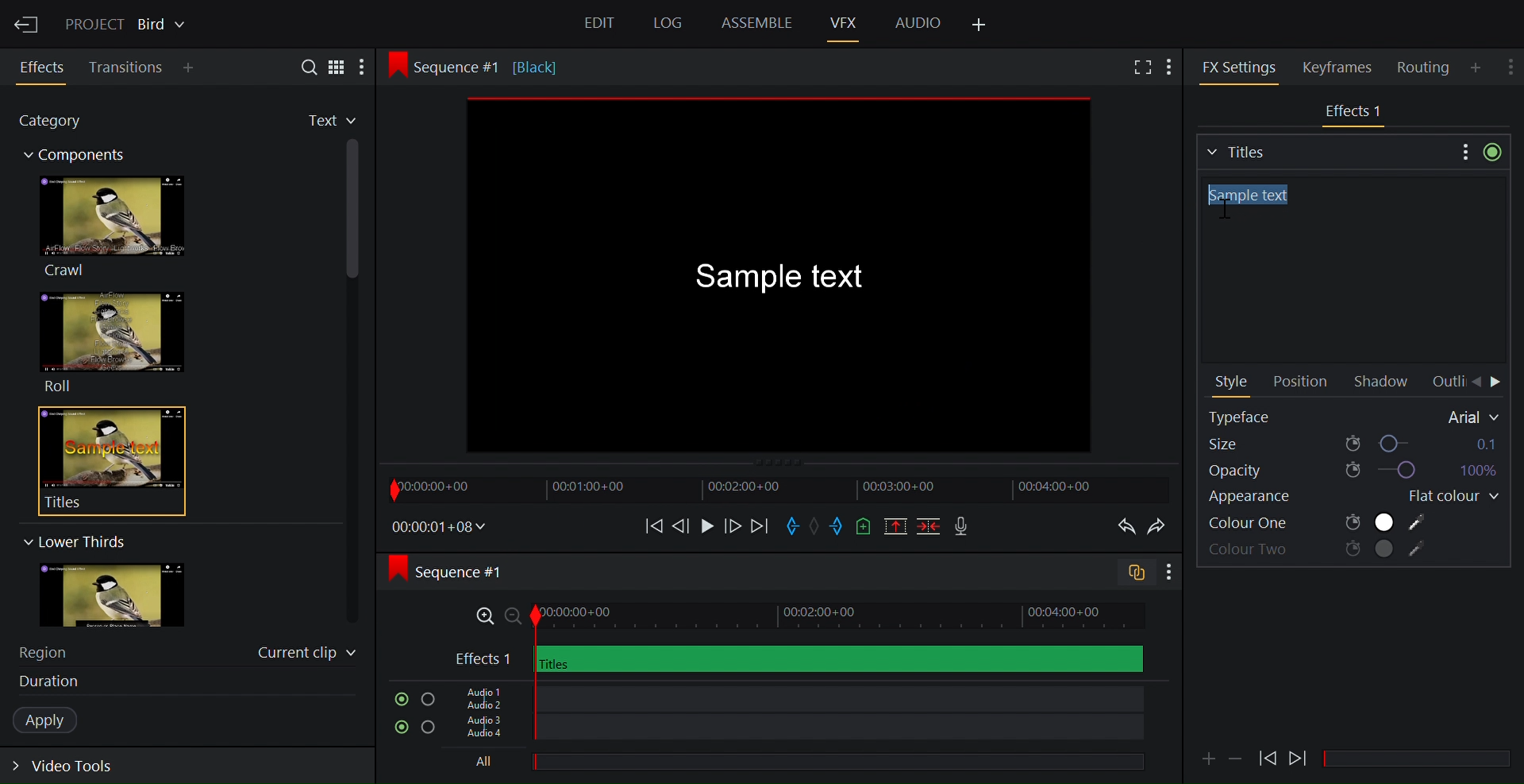 The image size is (1524, 784). I want to click on Add a cue, so click(864, 528).